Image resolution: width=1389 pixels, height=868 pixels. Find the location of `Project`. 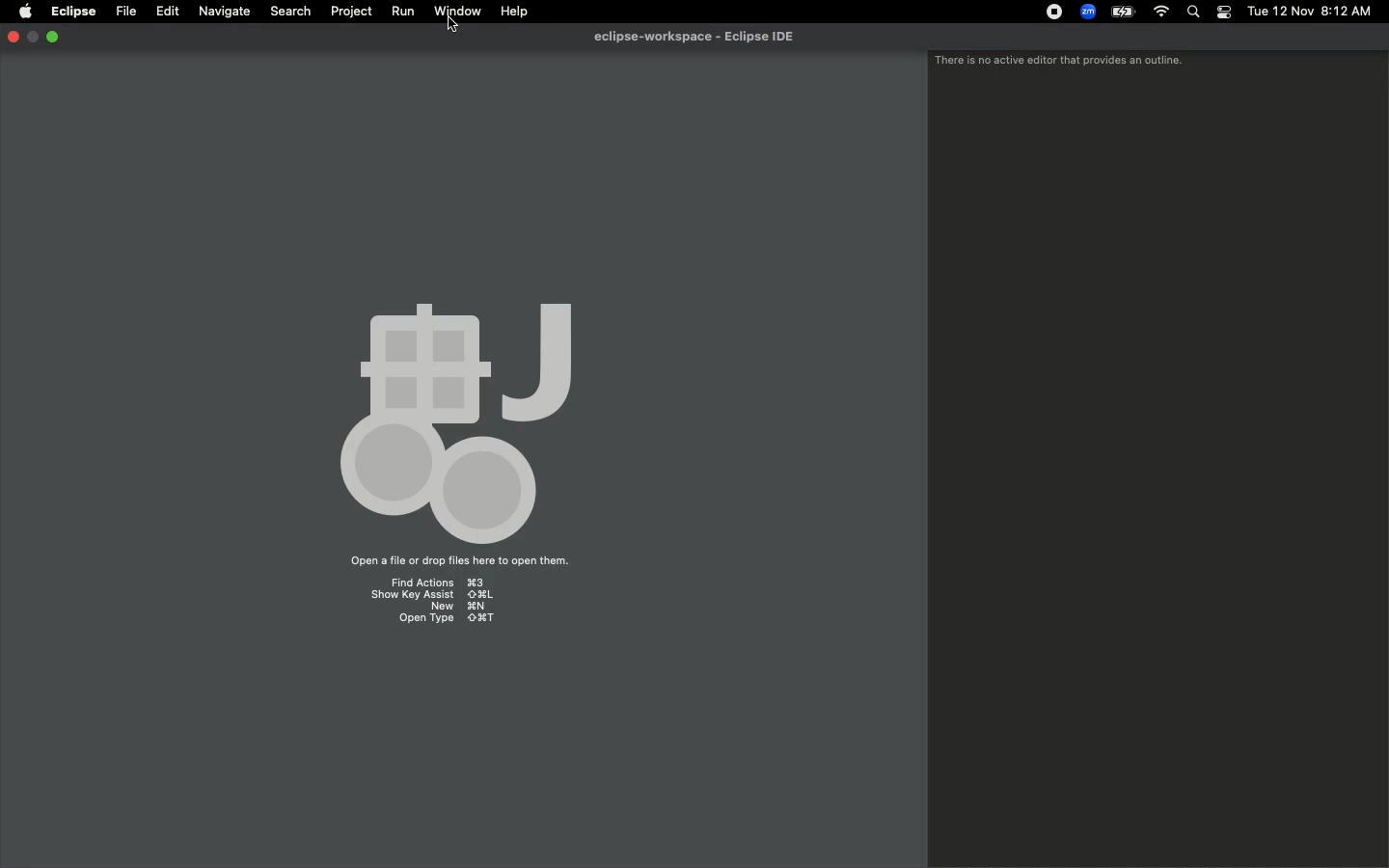

Project is located at coordinates (347, 12).